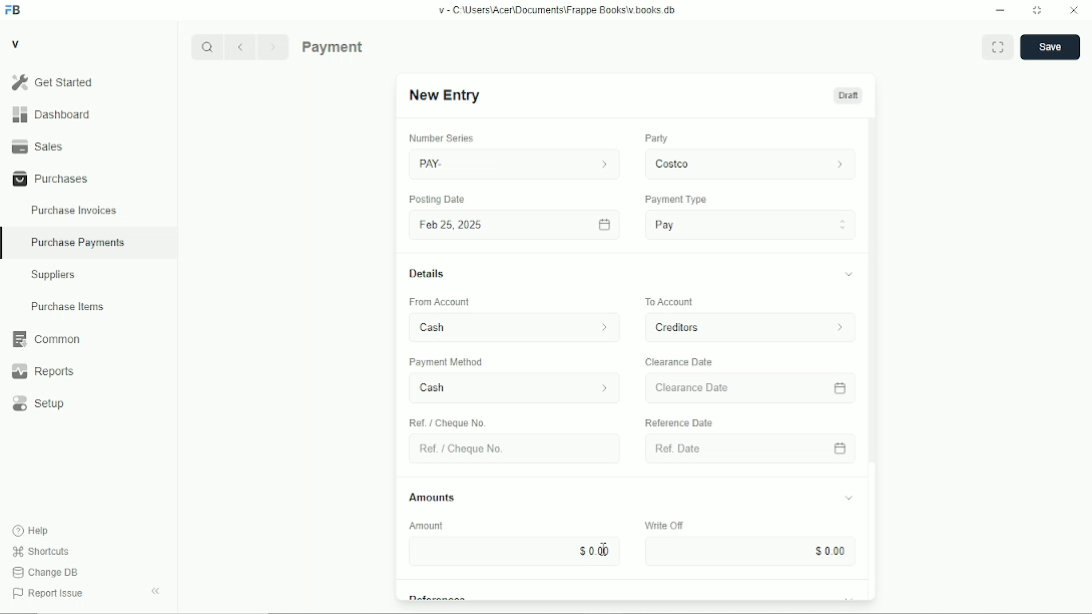 The height and width of the screenshot is (614, 1092). I want to click on Ref / Cheque No., so click(450, 422).